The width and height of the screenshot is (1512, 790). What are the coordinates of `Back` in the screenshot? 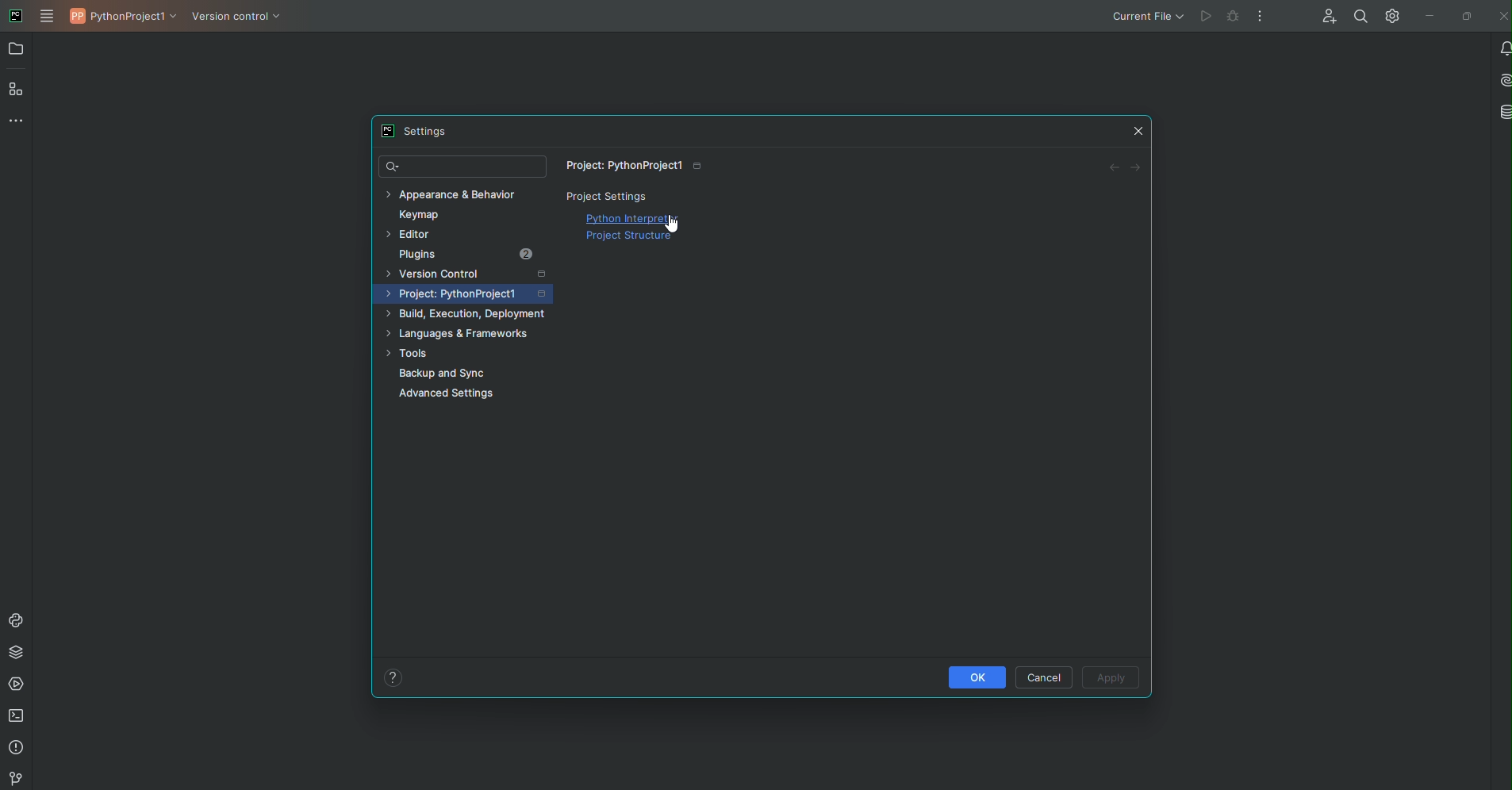 It's located at (1111, 167).